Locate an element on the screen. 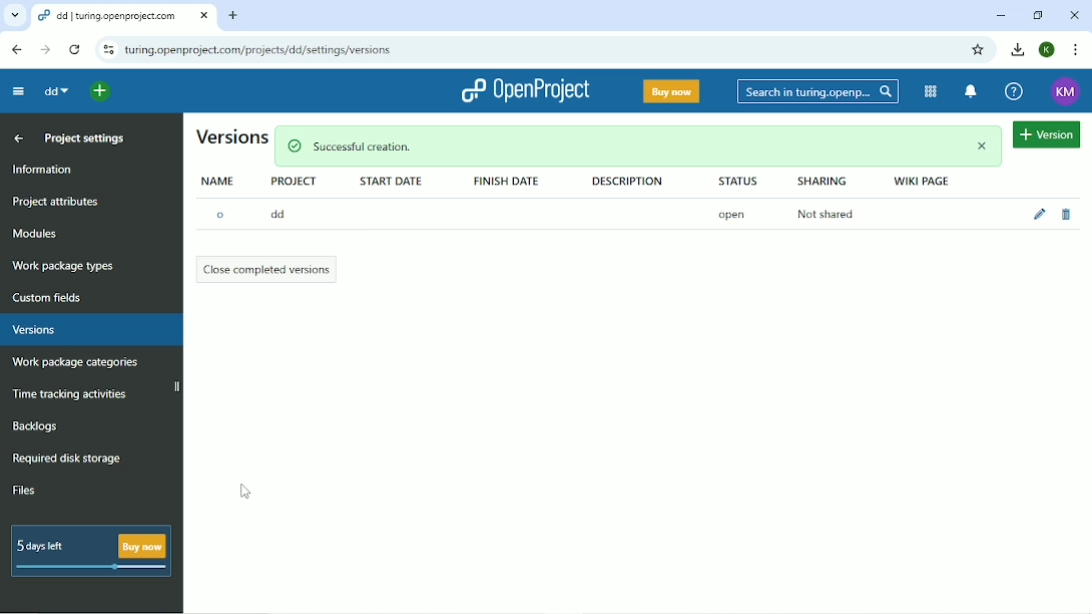 Image resolution: width=1092 pixels, height=614 pixels. View site information is located at coordinates (108, 49).